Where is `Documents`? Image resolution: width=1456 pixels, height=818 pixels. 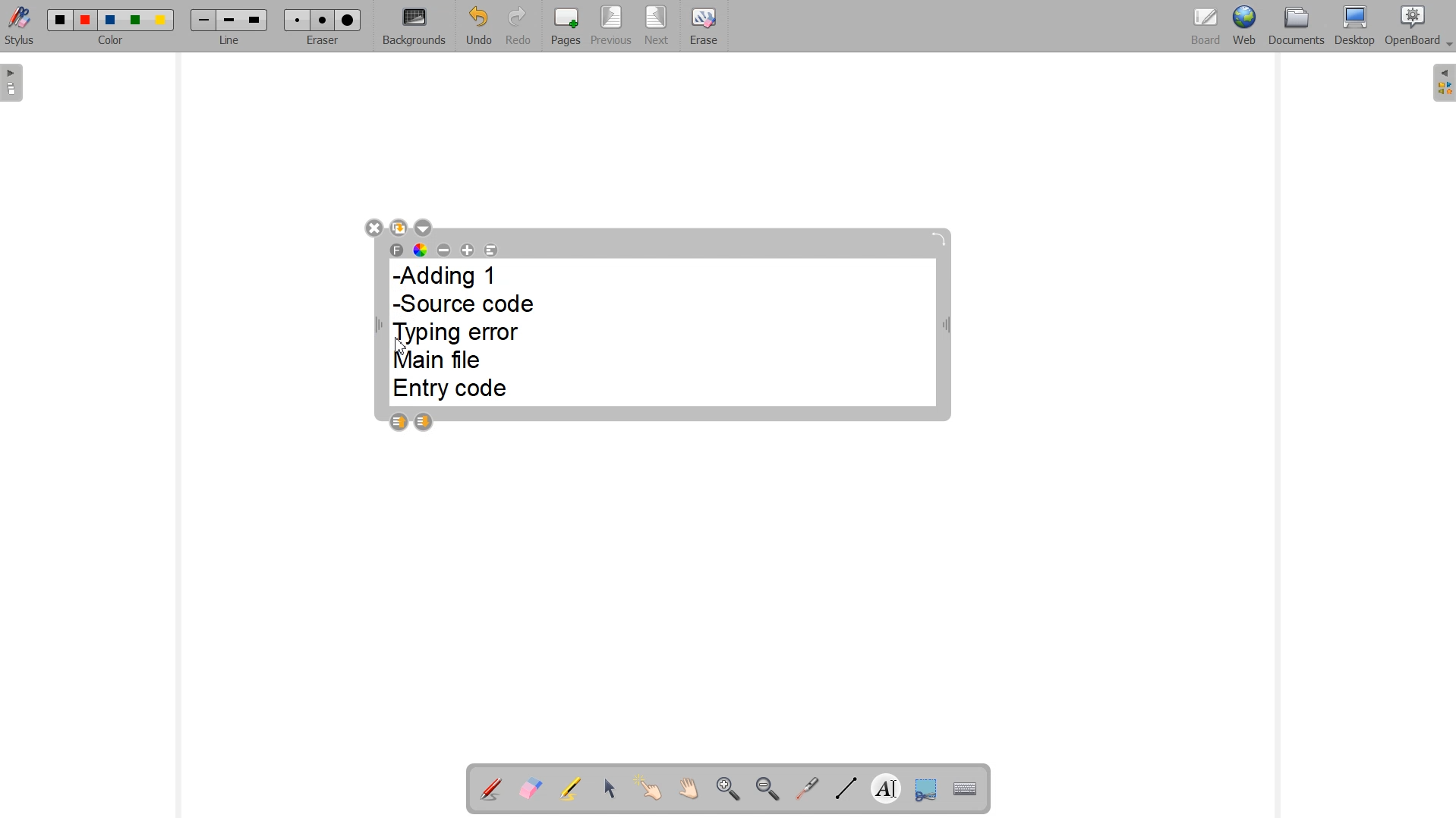
Documents is located at coordinates (1297, 27).